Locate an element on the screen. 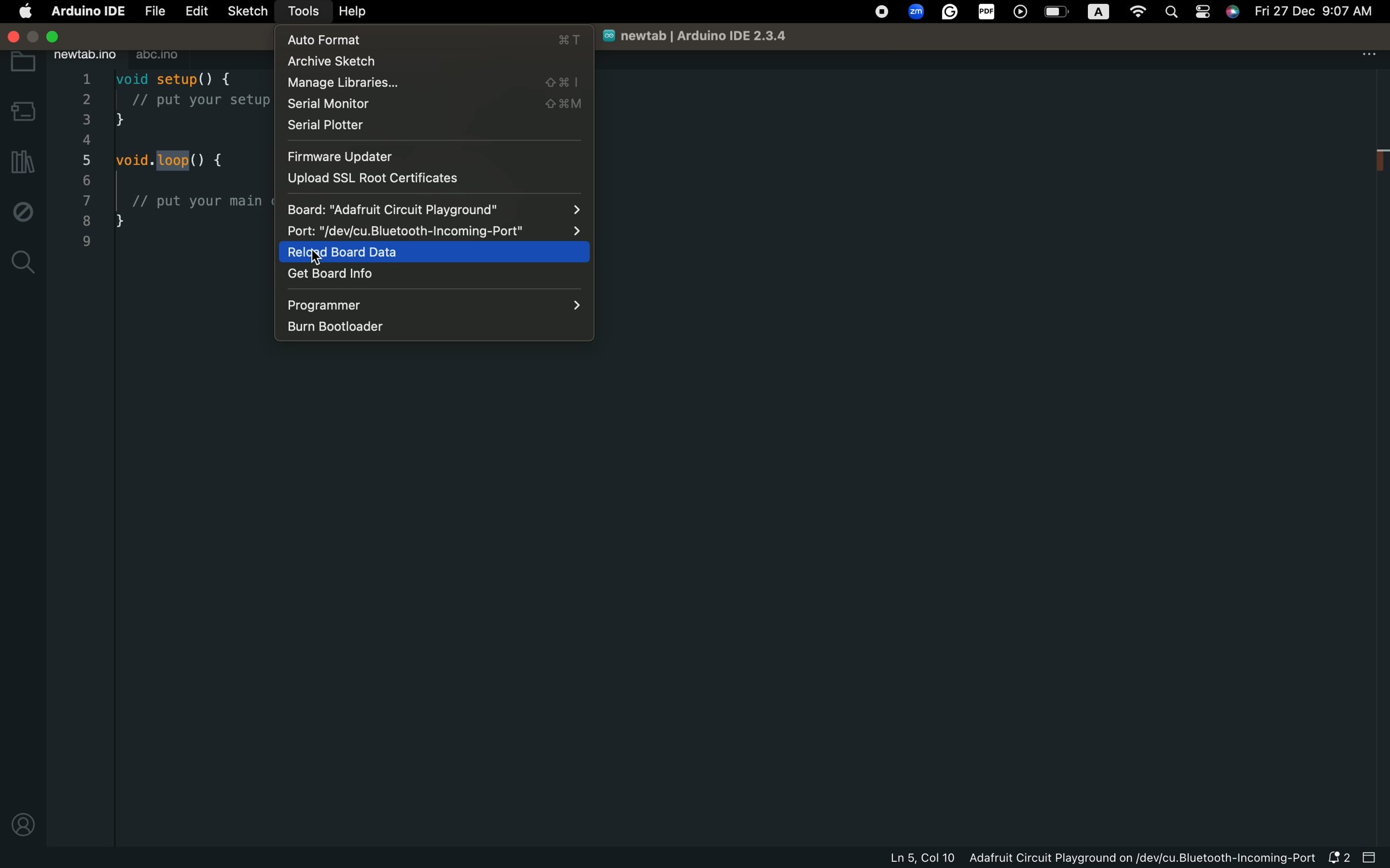 The height and width of the screenshot is (868, 1390). 8 is located at coordinates (86, 220).